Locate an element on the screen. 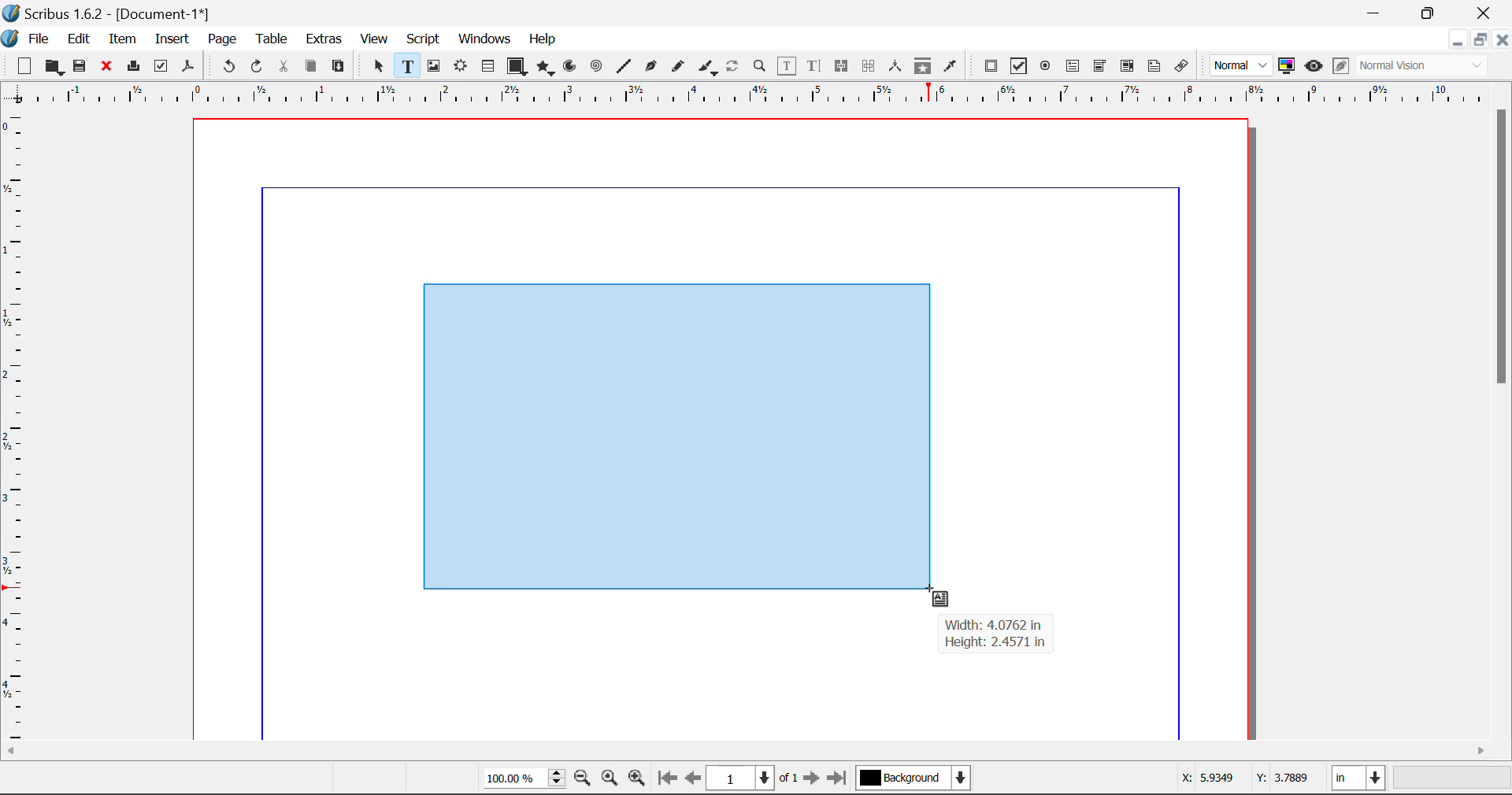 This screenshot has height=795, width=1512. Measurement Units is located at coordinates (1360, 780).